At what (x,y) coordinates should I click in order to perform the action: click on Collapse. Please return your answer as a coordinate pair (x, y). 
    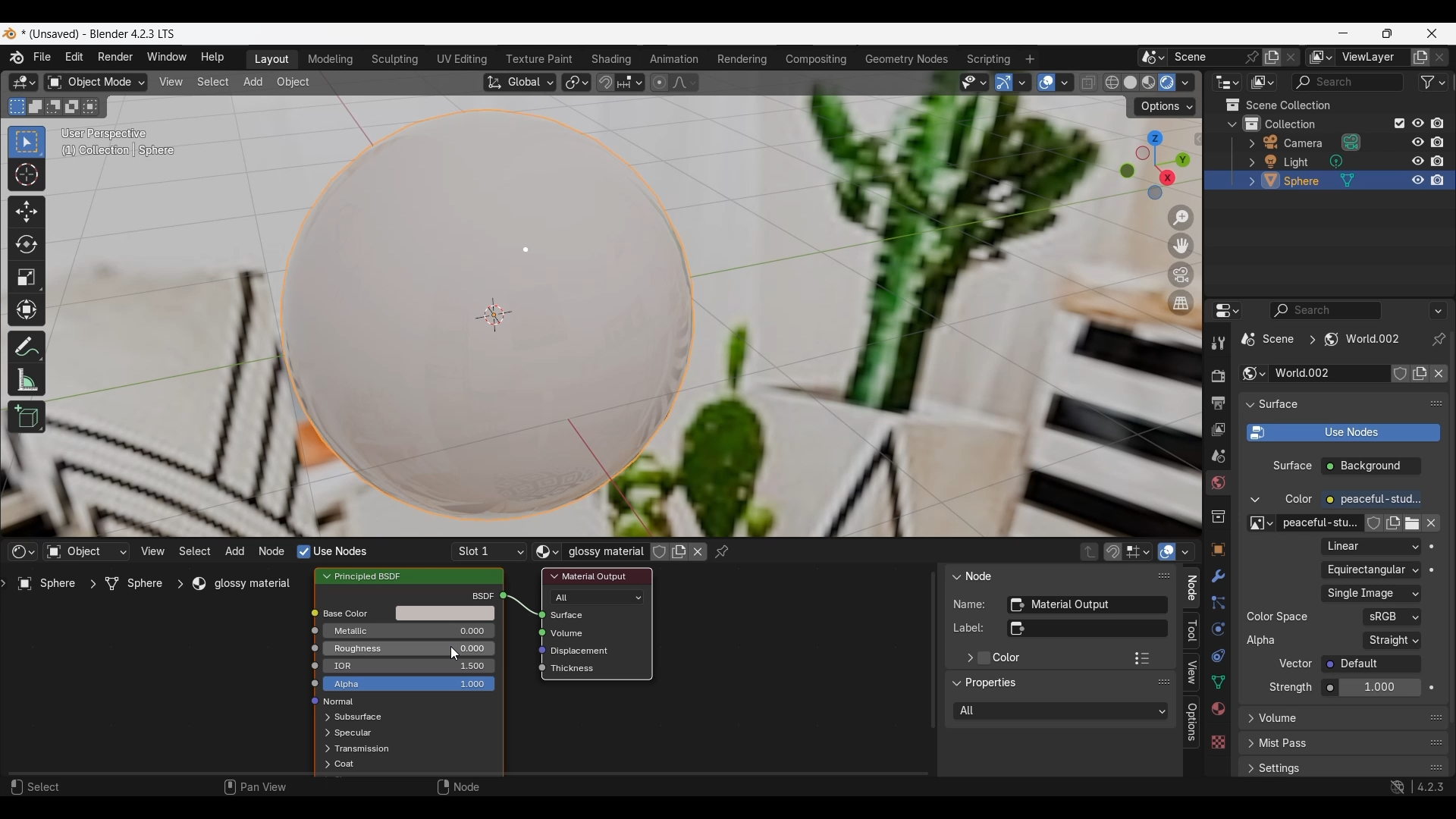
    Looking at the image, I should click on (1249, 405).